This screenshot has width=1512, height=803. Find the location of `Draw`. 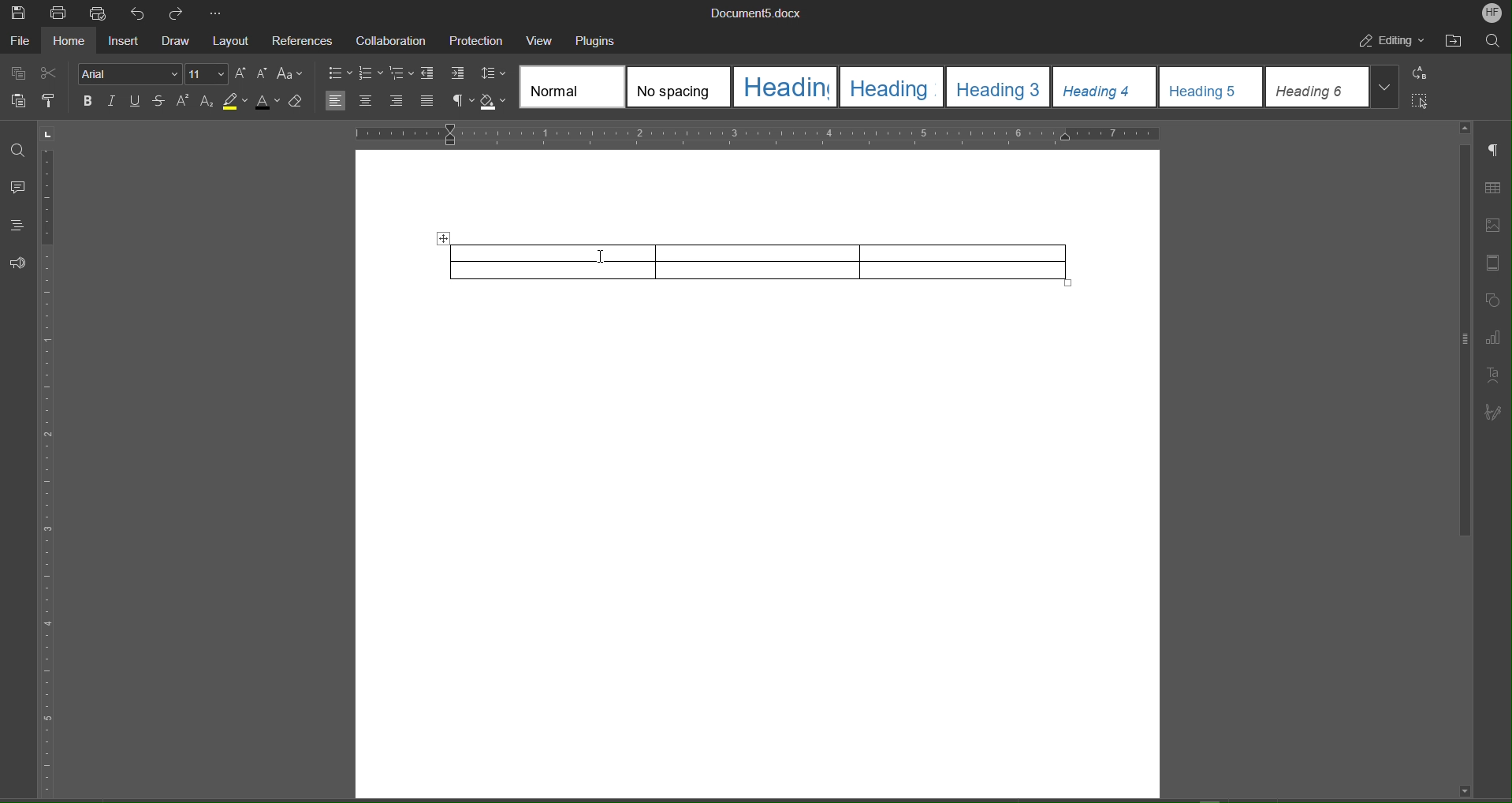

Draw is located at coordinates (180, 43).